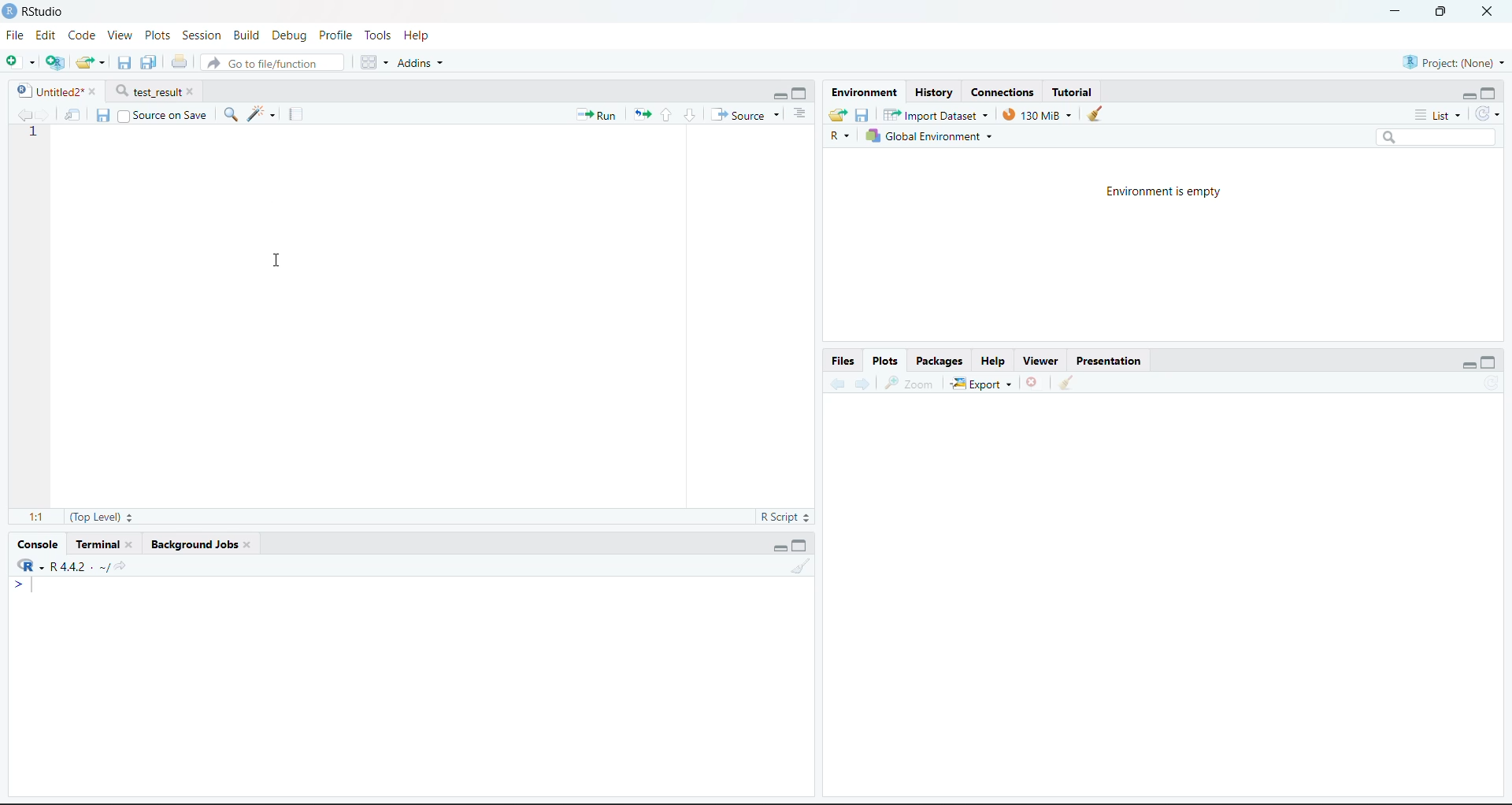  What do you see at coordinates (78, 566) in the screenshot?
I see `R 4.2.2~/` at bounding box center [78, 566].